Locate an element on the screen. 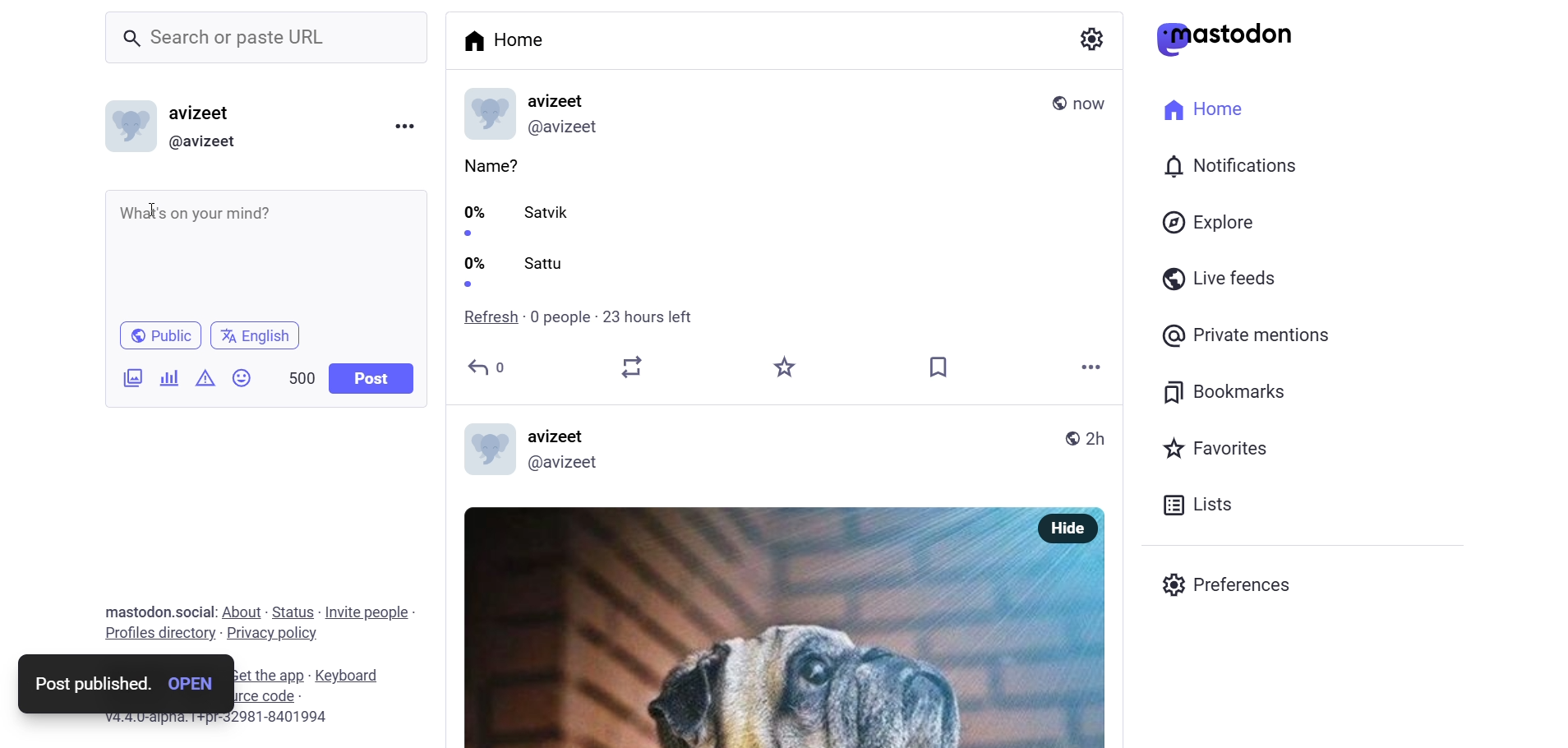 This screenshot has width=1568, height=748. name is located at coordinates (560, 99).